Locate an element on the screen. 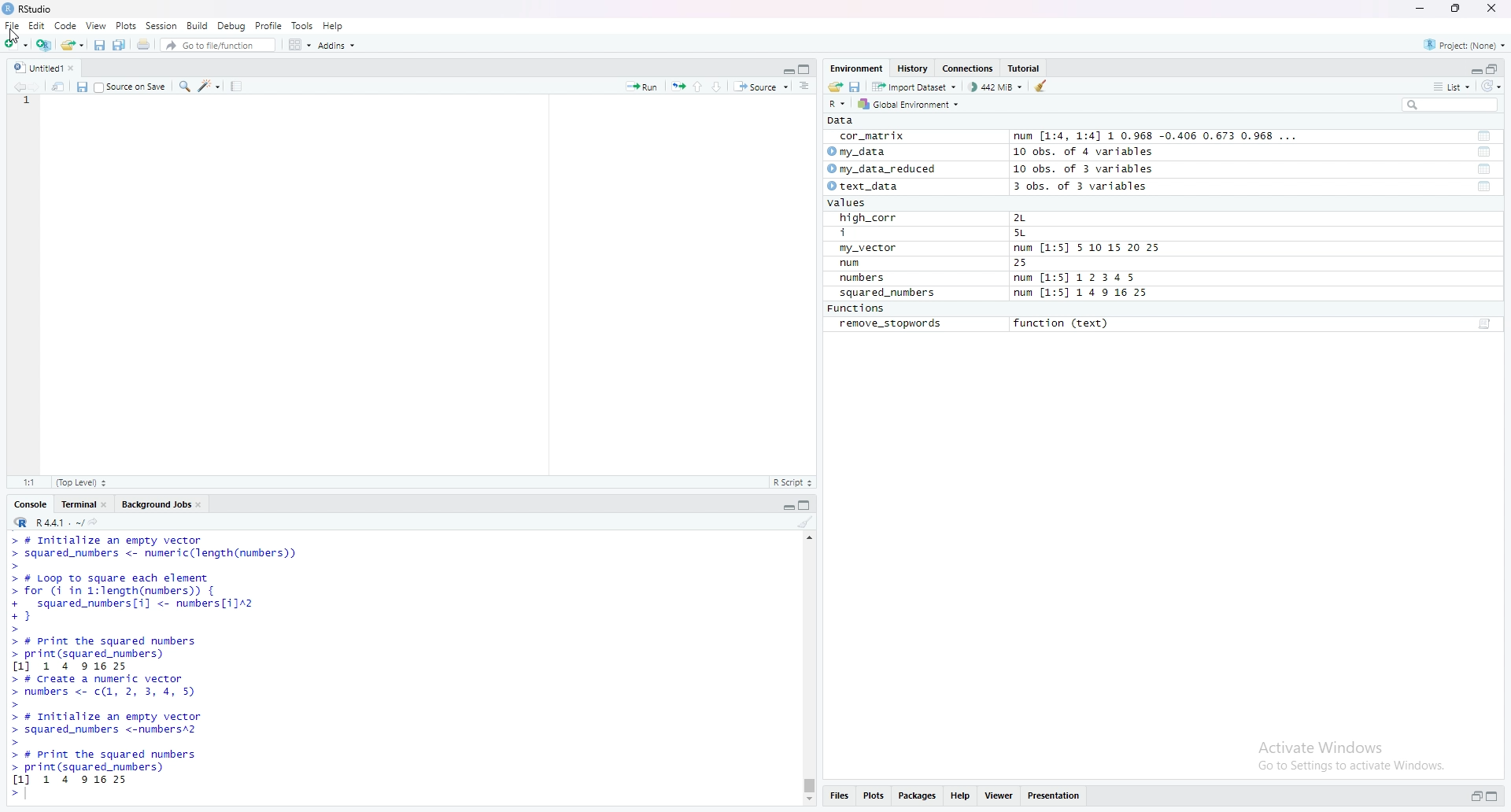 This screenshot has width=1511, height=812. Activate Windows
Go to Settings to activate Windows. is located at coordinates (1350, 754).